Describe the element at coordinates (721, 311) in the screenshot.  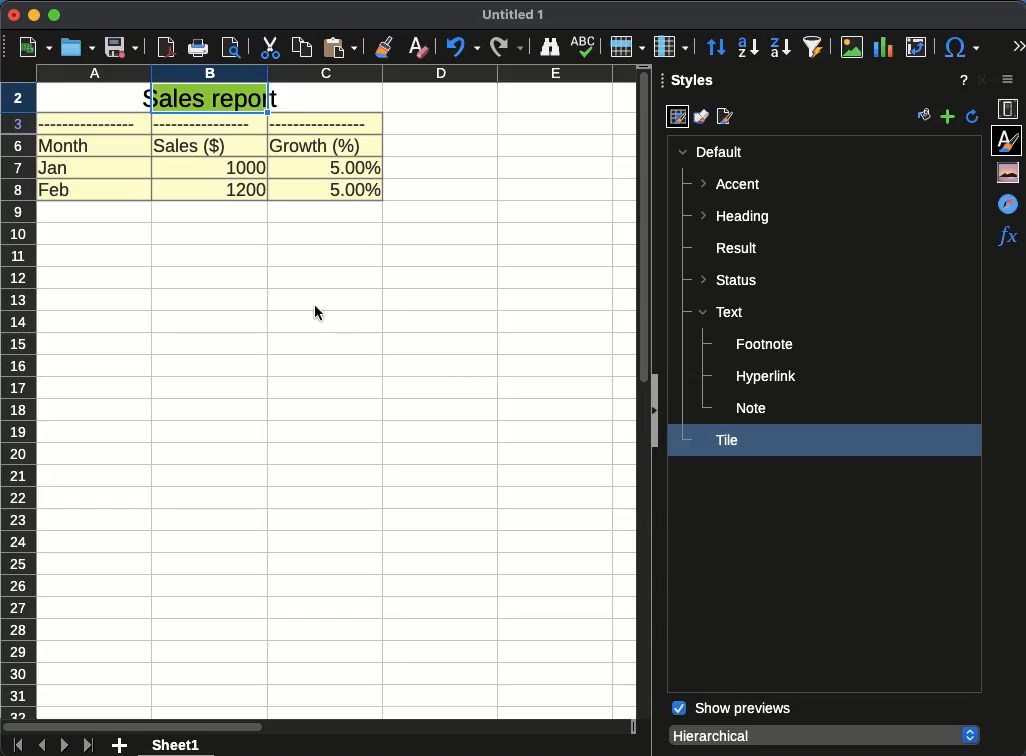
I see `text` at that location.